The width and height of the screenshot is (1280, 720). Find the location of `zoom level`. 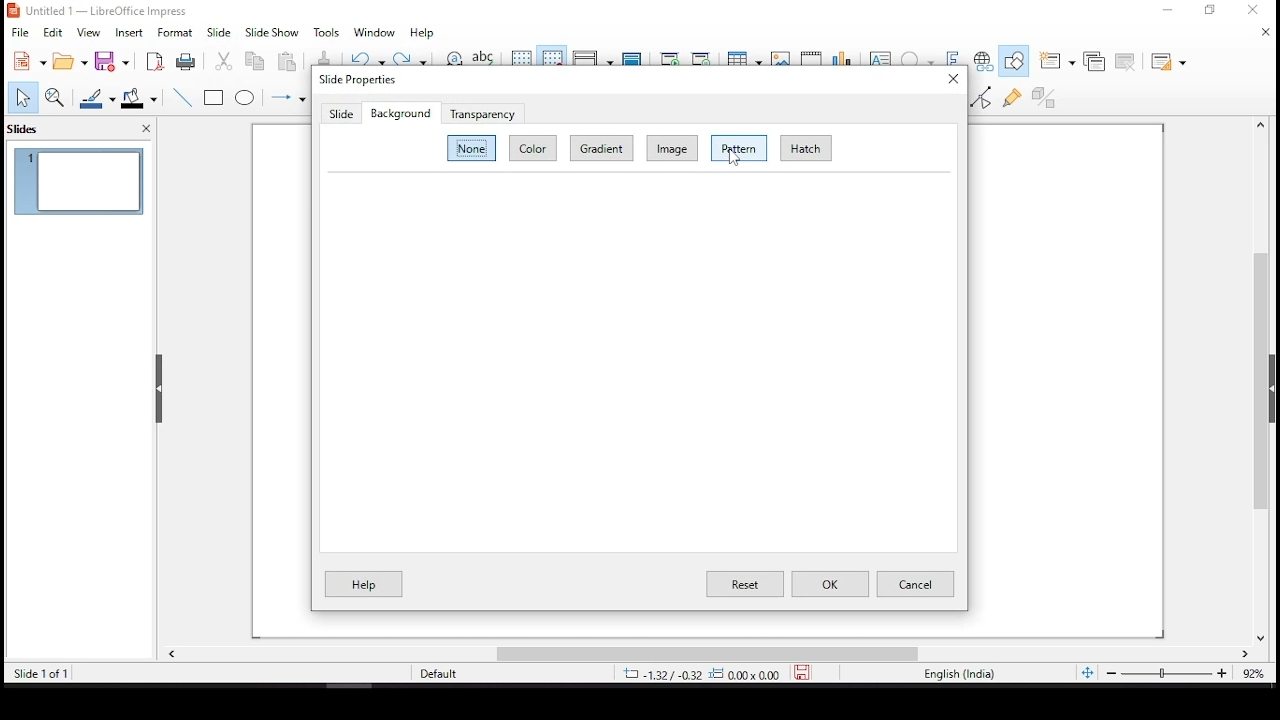

zoom level is located at coordinates (1247, 671).